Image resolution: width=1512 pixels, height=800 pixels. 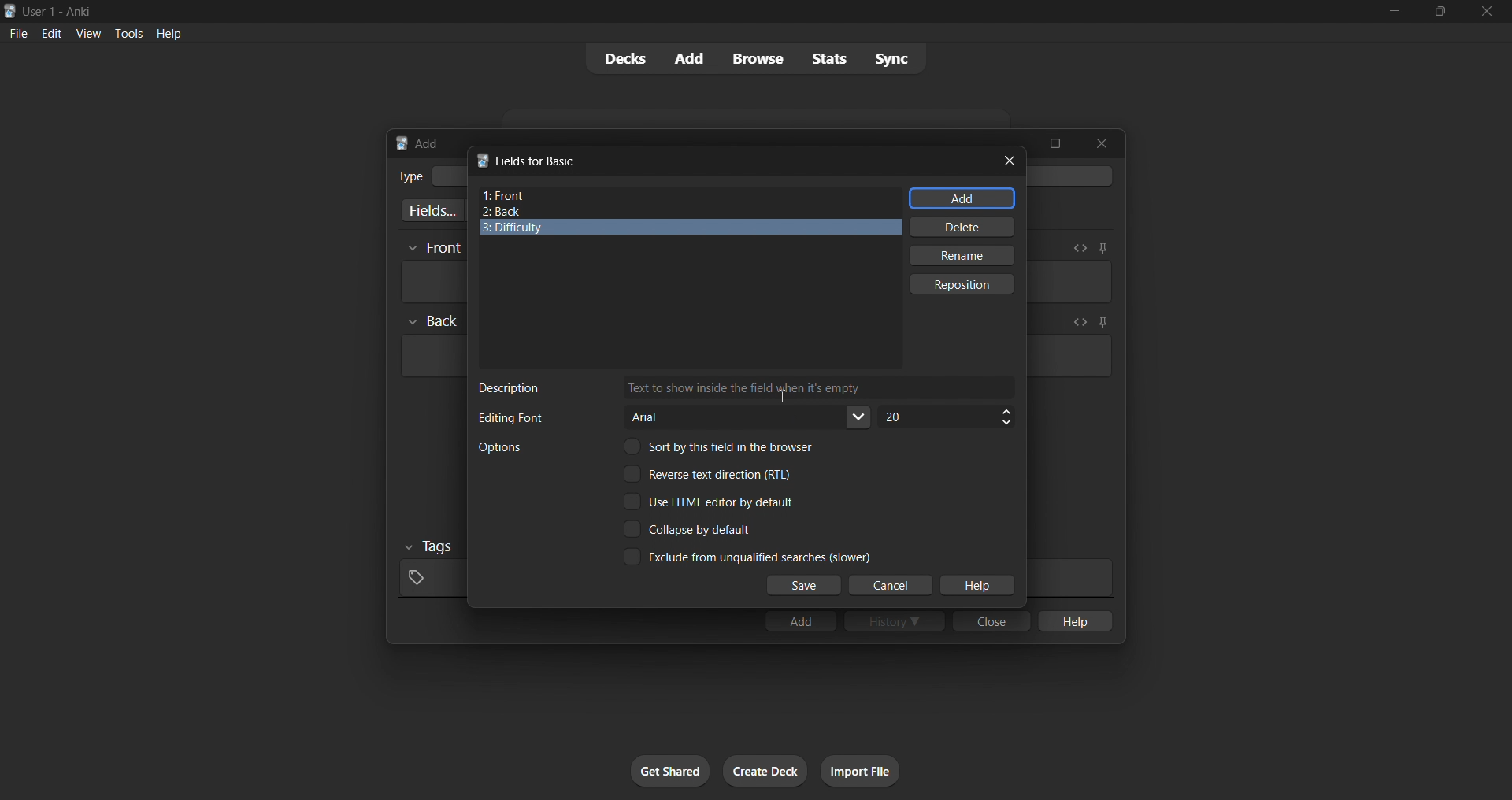 I want to click on view, so click(x=88, y=33).